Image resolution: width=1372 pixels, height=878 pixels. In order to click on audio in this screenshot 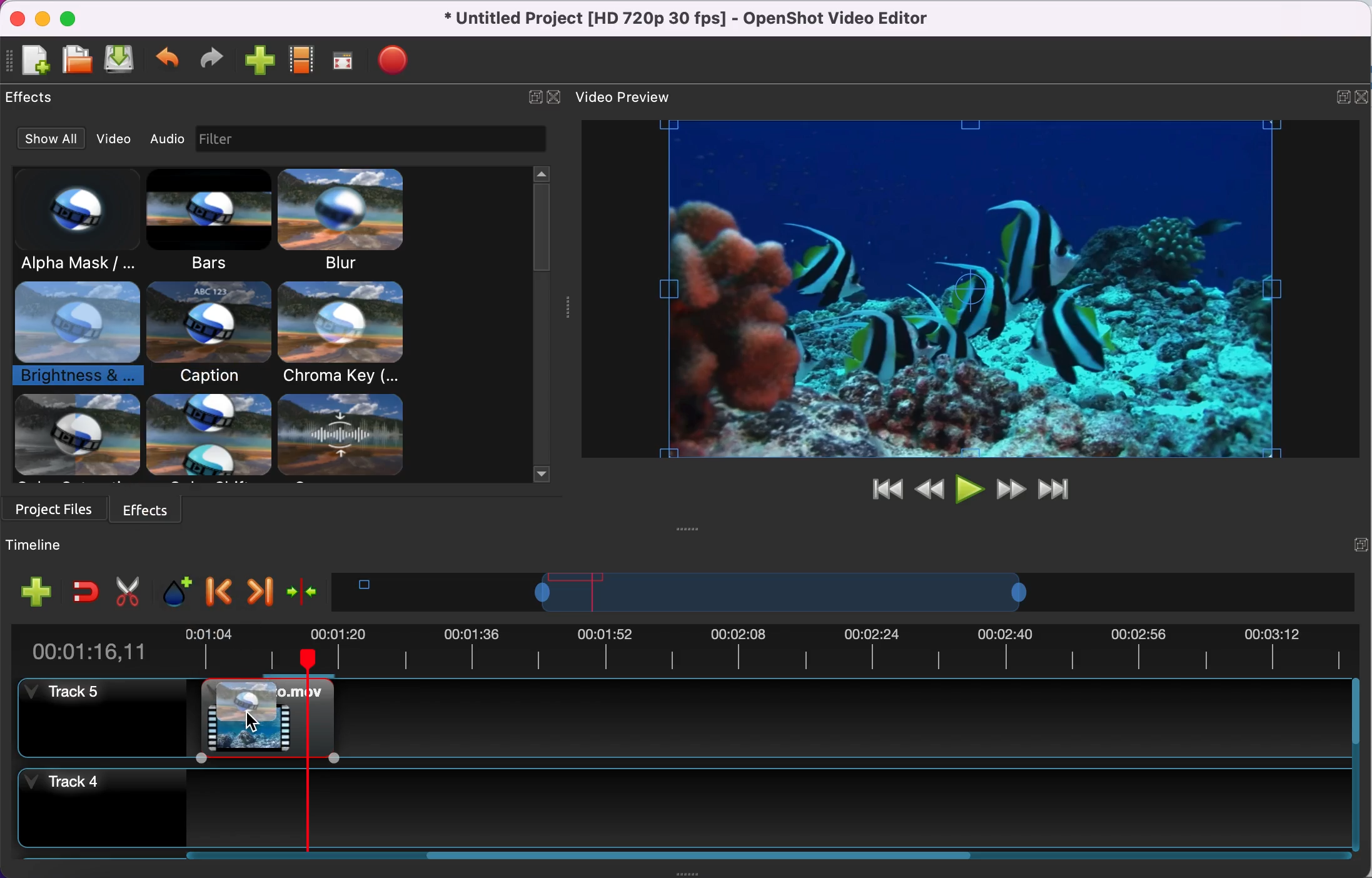, I will do `click(166, 141)`.